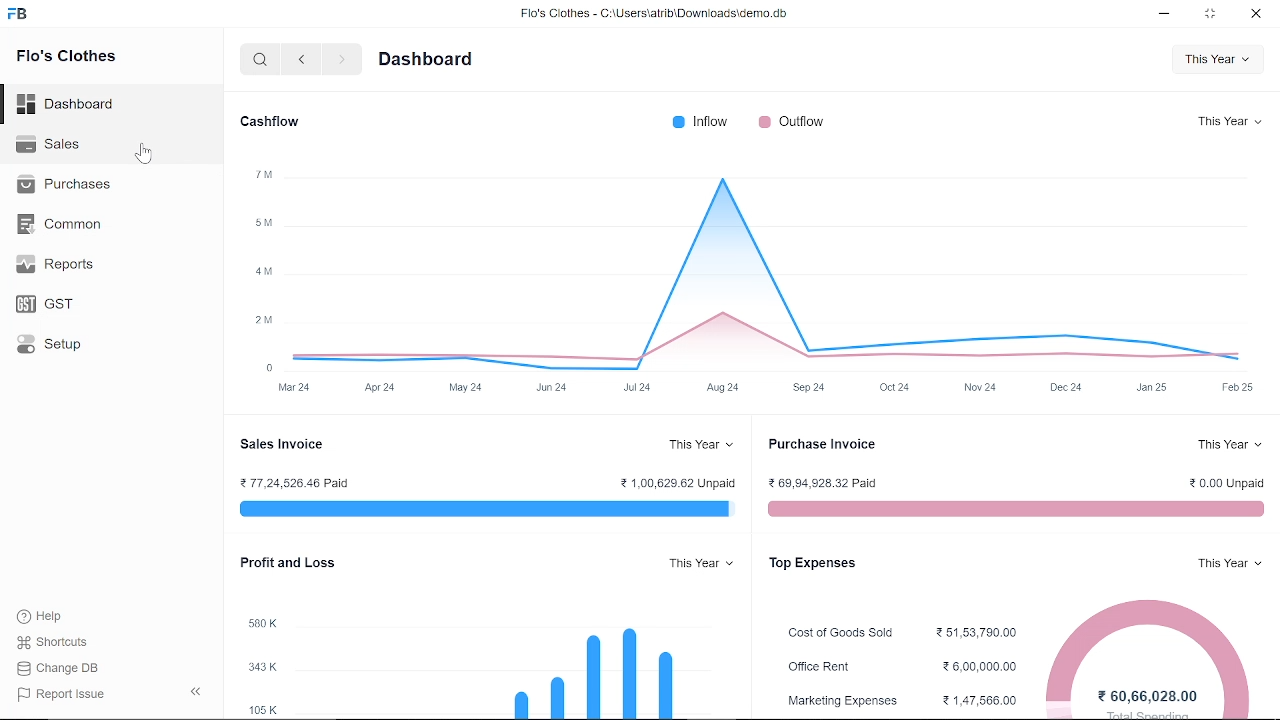 The width and height of the screenshot is (1280, 720). Describe the element at coordinates (822, 444) in the screenshot. I see `Purchase Invoice` at that location.